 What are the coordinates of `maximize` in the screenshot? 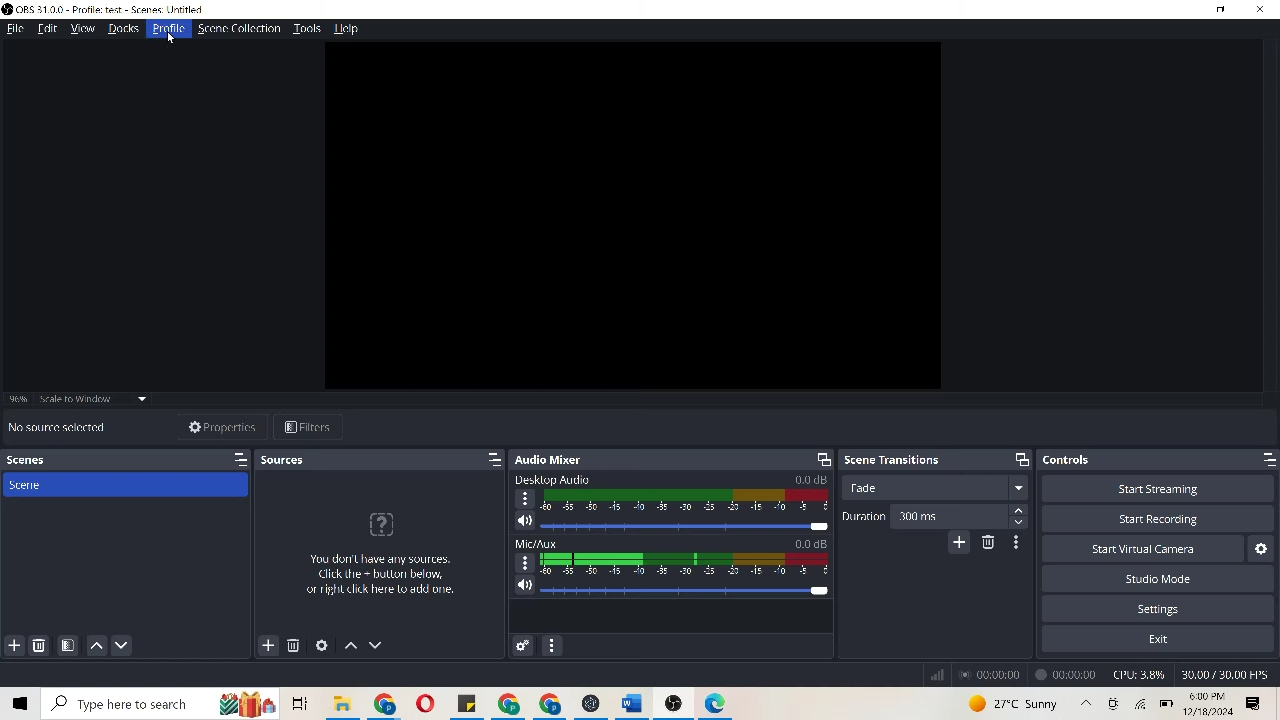 It's located at (1020, 458).